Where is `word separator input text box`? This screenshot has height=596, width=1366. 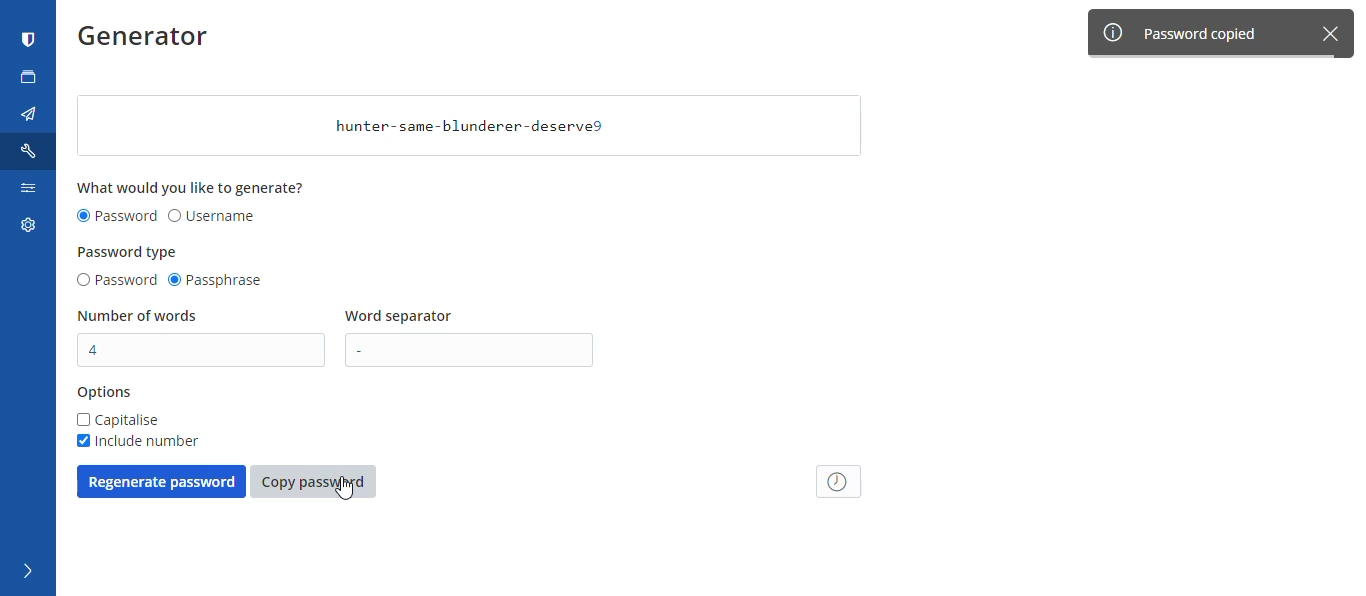 word separator input text box is located at coordinates (475, 350).